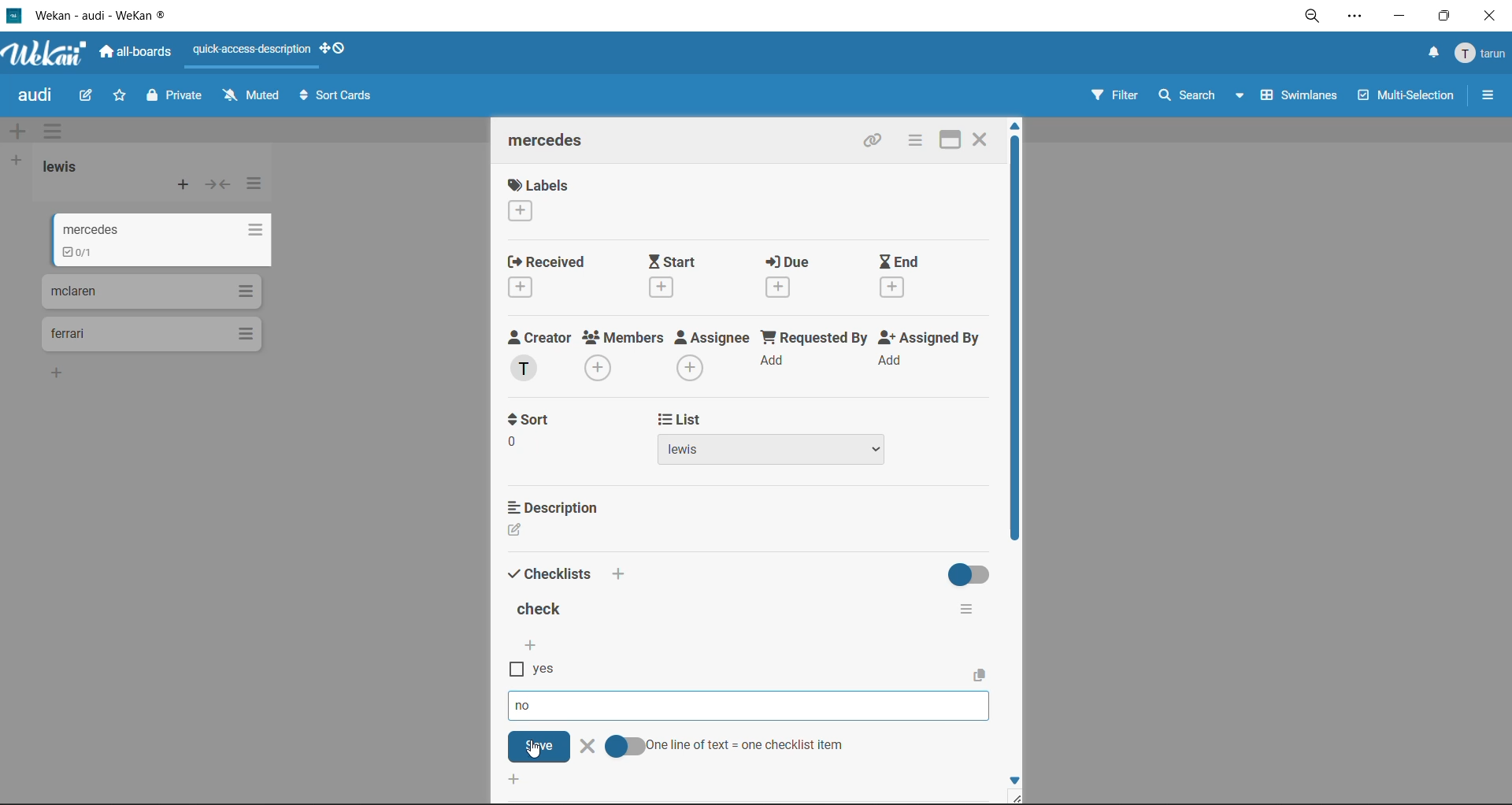  I want to click on notifications, so click(1429, 53).